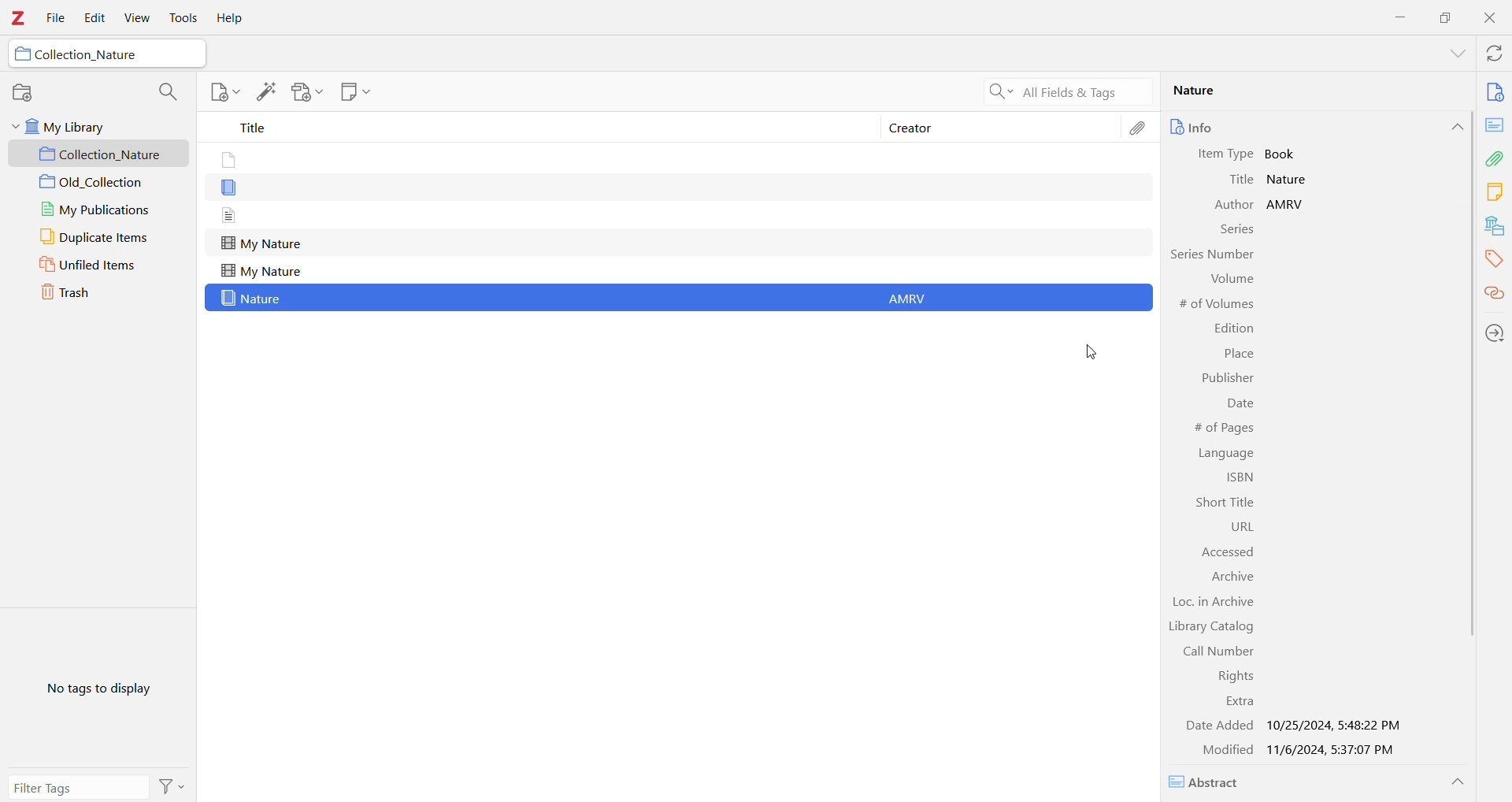  Describe the element at coordinates (1456, 127) in the screenshot. I see `Collapse Section` at that location.